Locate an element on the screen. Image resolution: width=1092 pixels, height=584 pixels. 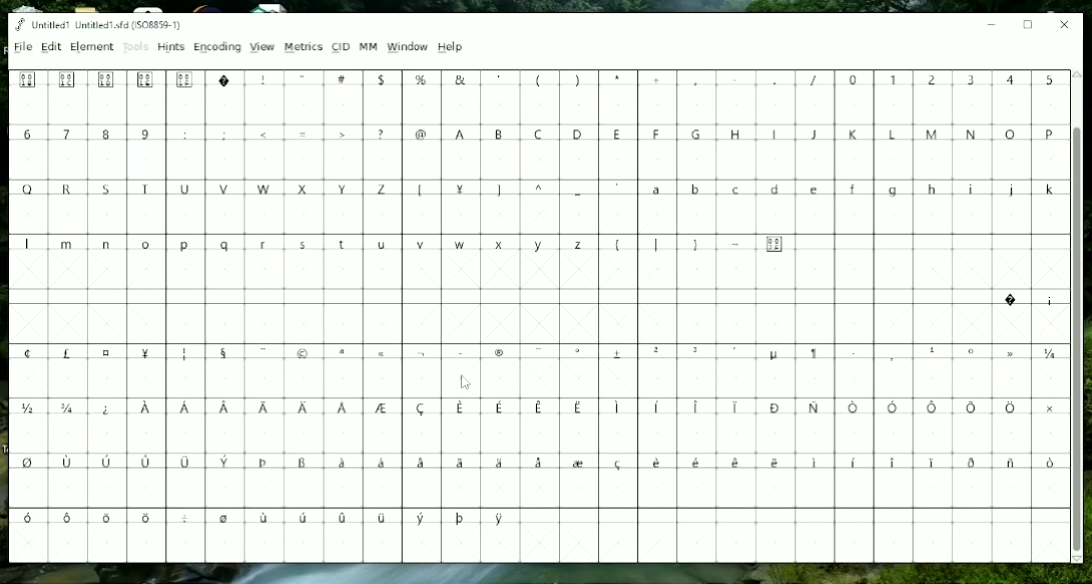
Symbols is located at coordinates (540, 351).